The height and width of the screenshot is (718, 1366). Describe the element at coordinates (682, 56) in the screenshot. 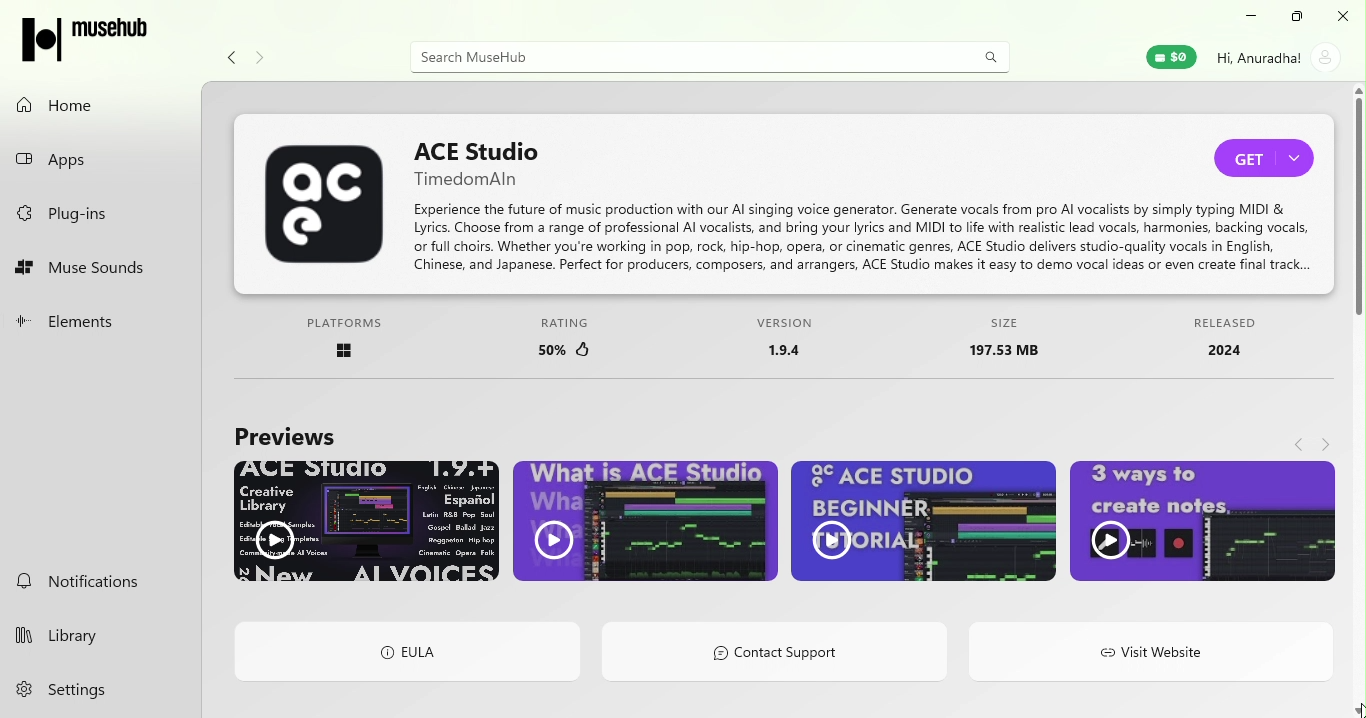

I see `search bar` at that location.